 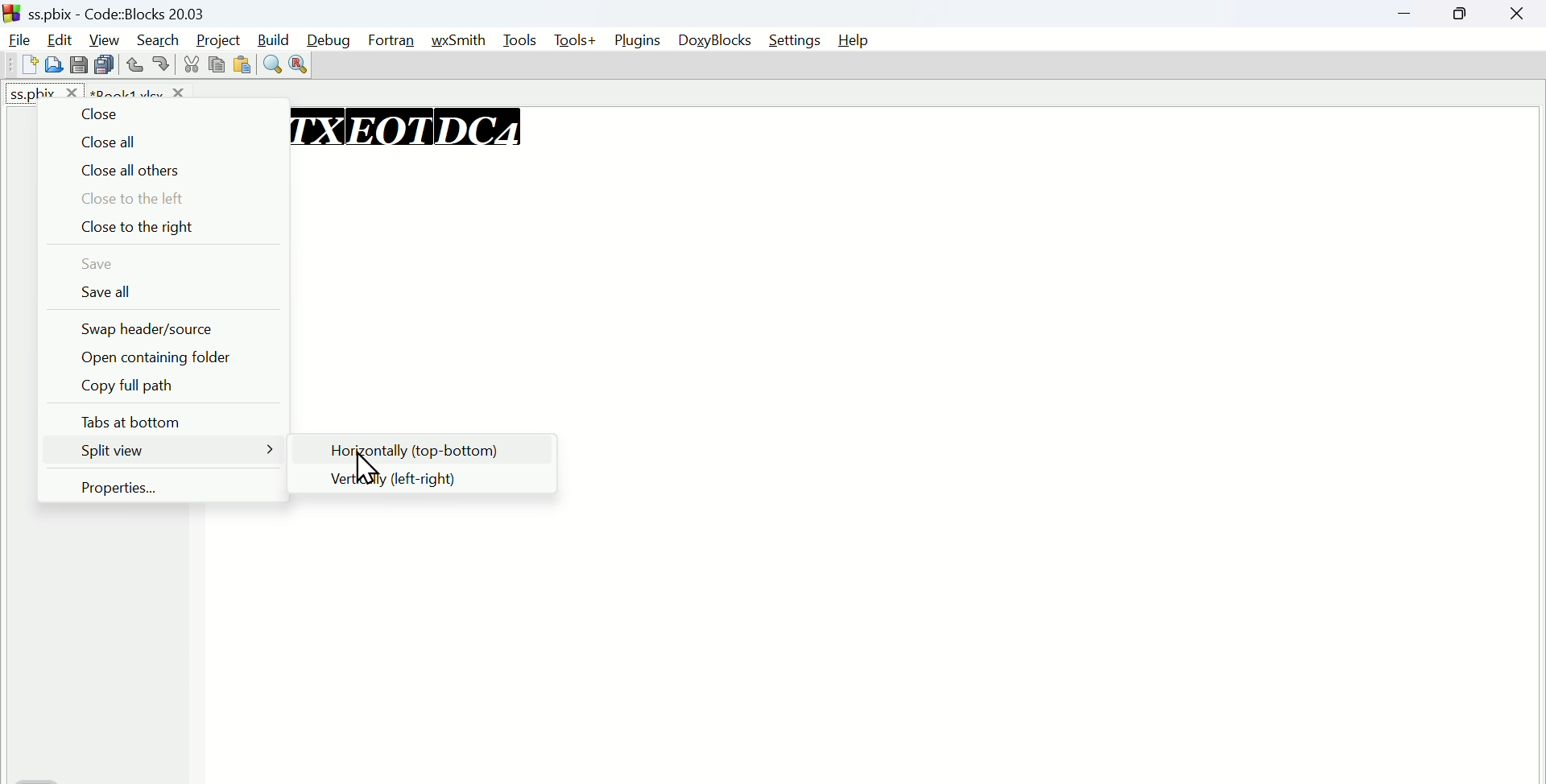 What do you see at coordinates (139, 89) in the screenshot?
I see `book1.xlsx` at bounding box center [139, 89].